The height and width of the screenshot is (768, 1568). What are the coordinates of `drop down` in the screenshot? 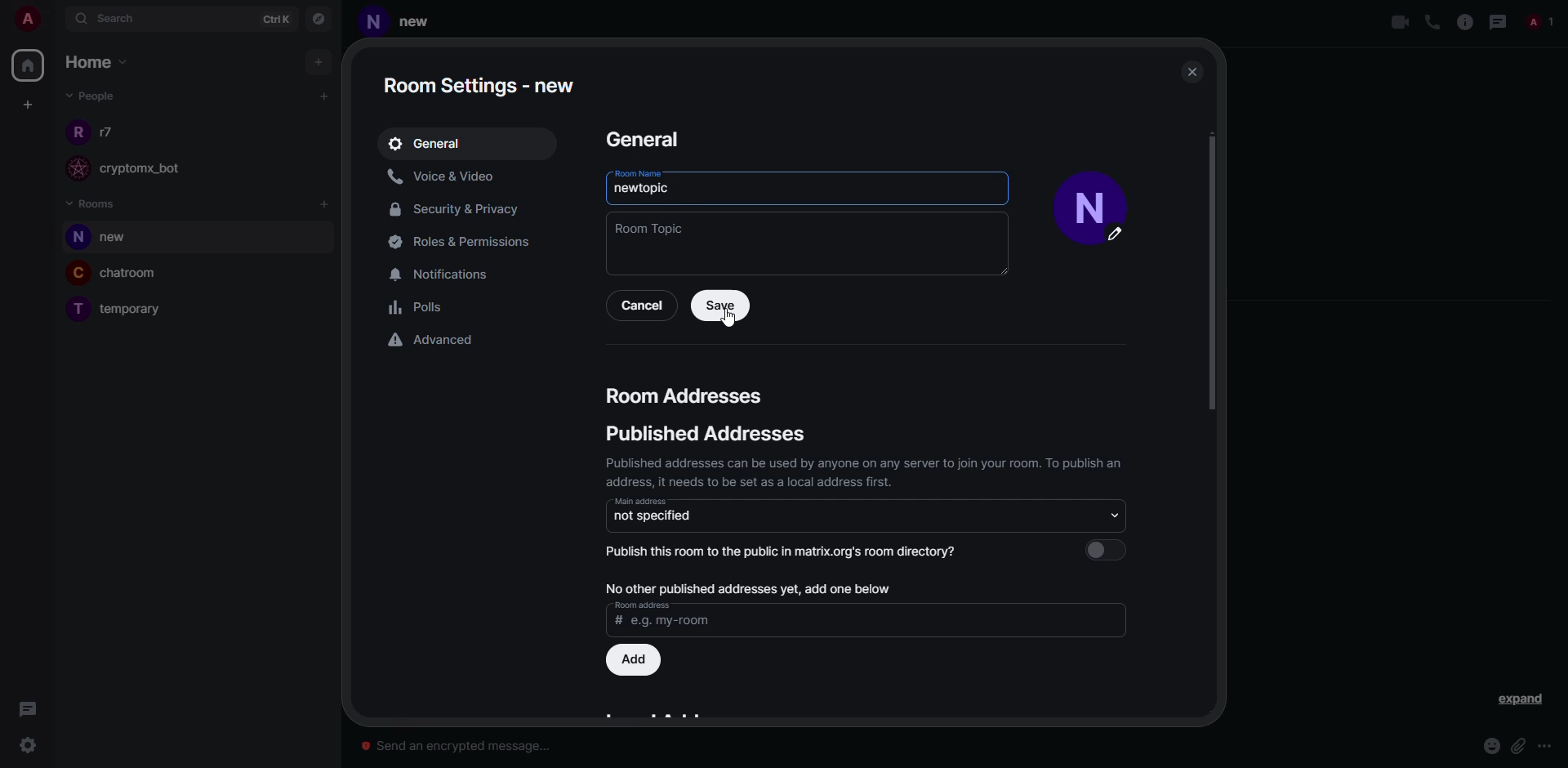 It's located at (1110, 514).